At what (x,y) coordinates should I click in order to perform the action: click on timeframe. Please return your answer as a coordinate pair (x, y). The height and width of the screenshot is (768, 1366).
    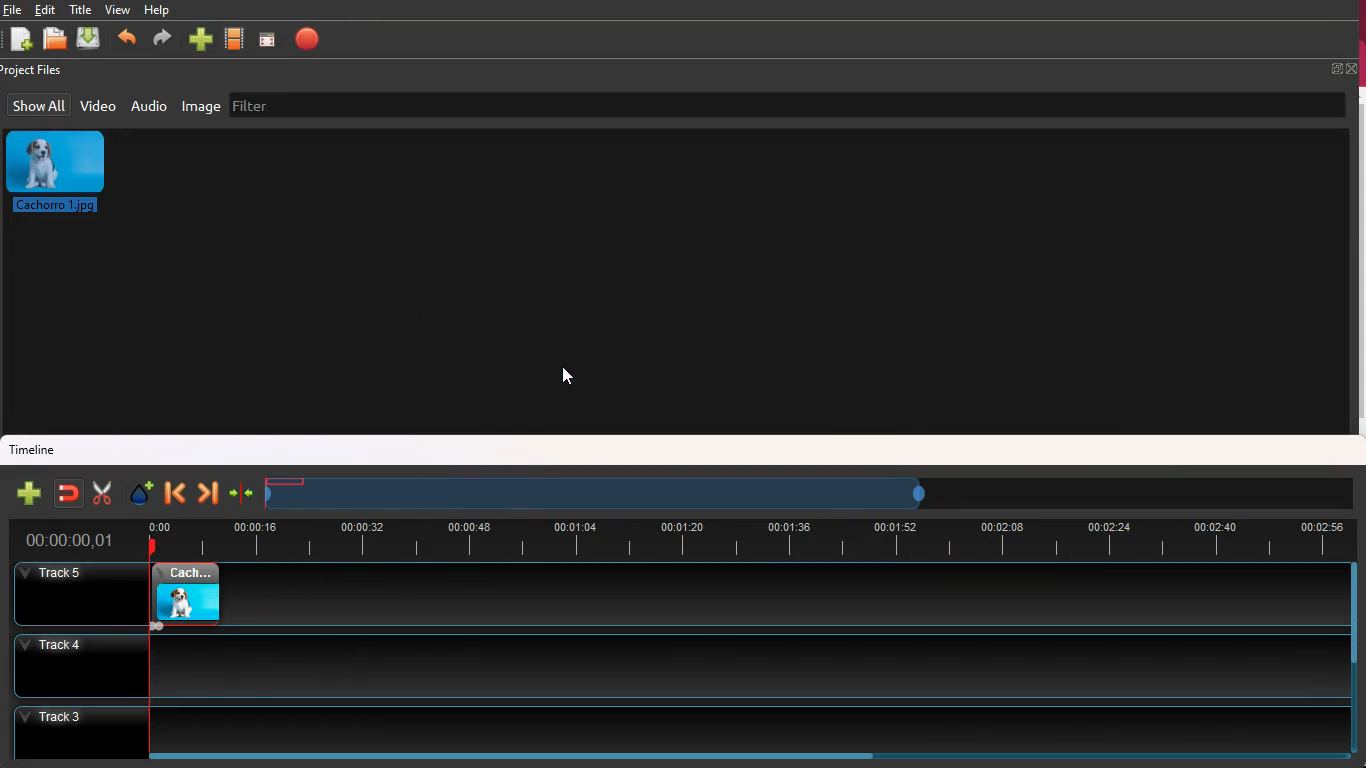
    Looking at the image, I should click on (600, 492).